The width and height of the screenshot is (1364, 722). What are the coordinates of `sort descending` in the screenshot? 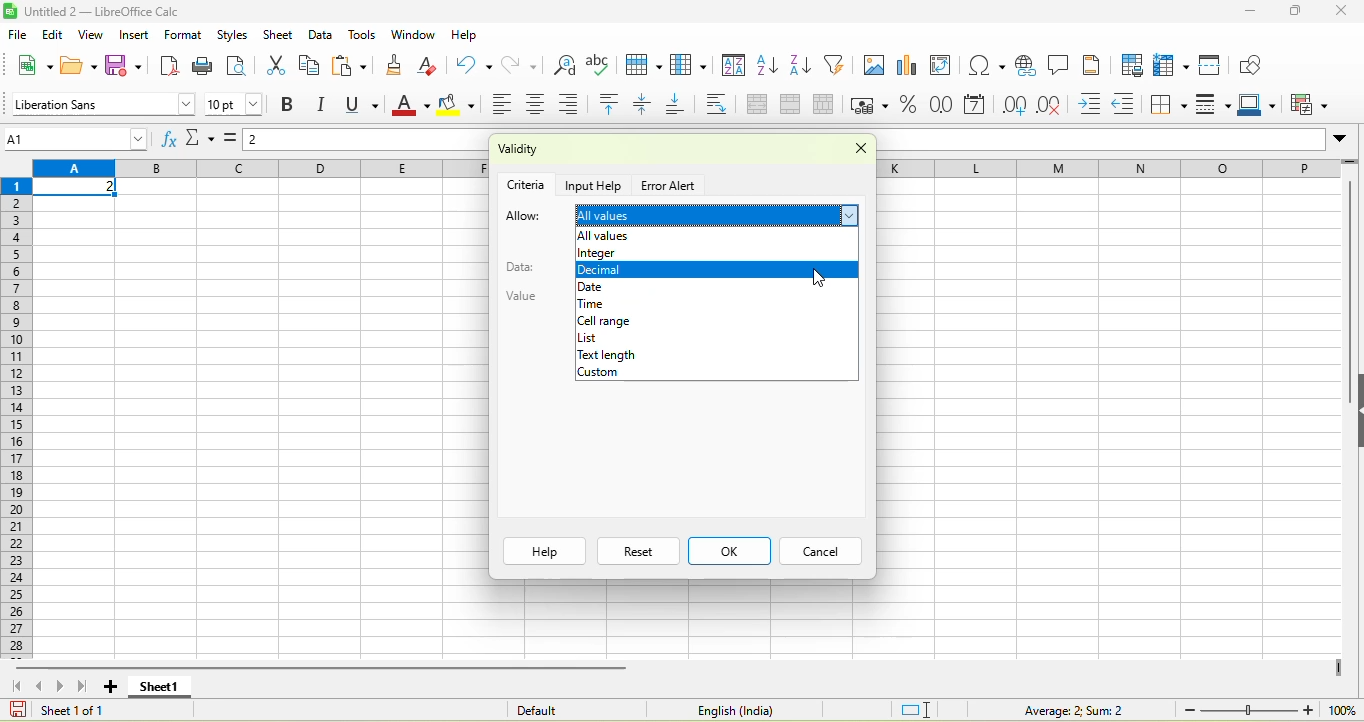 It's located at (803, 67).